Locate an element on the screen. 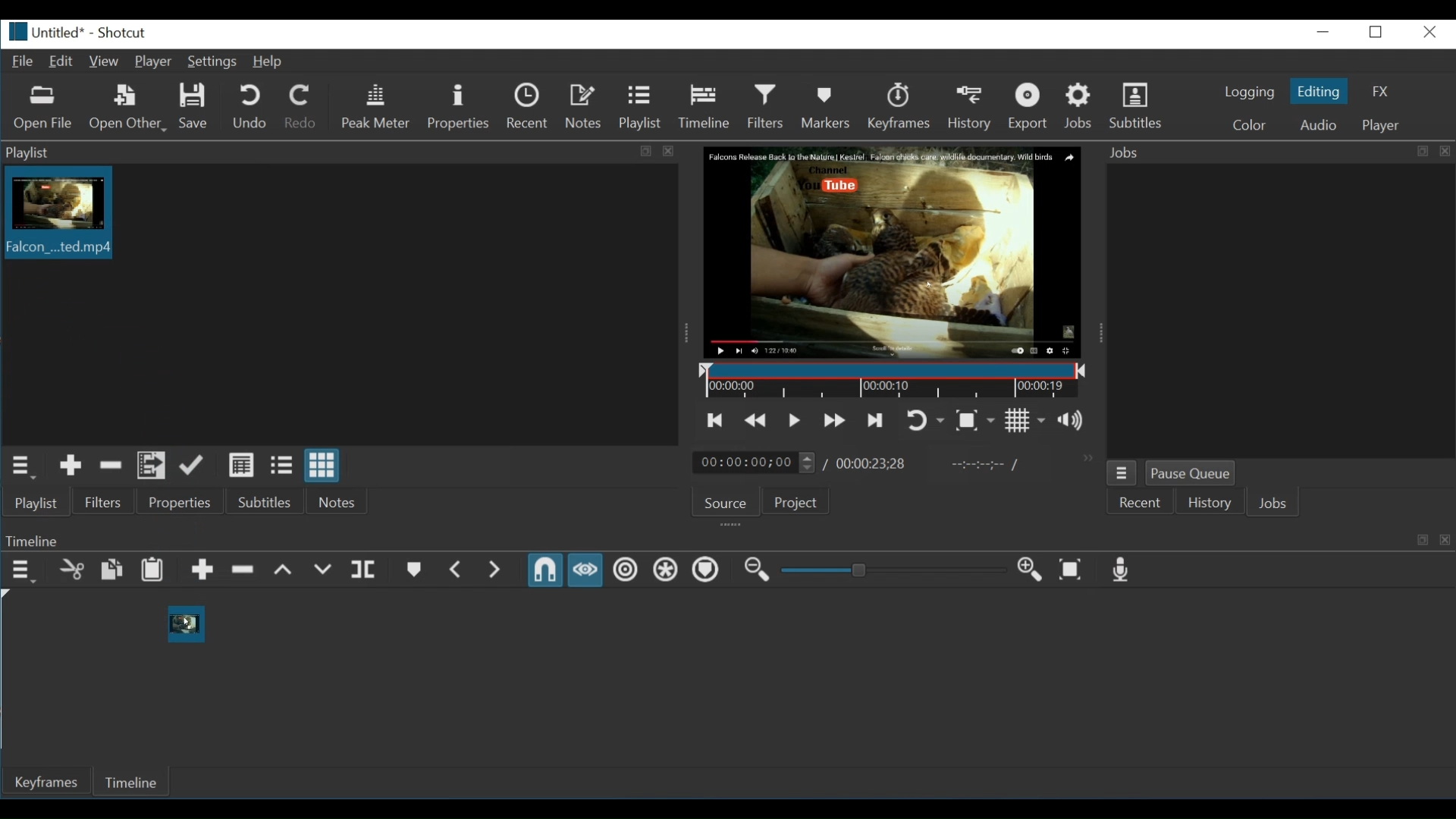 Image resolution: width=1456 pixels, height=819 pixels. Ripple delete is located at coordinates (243, 570).